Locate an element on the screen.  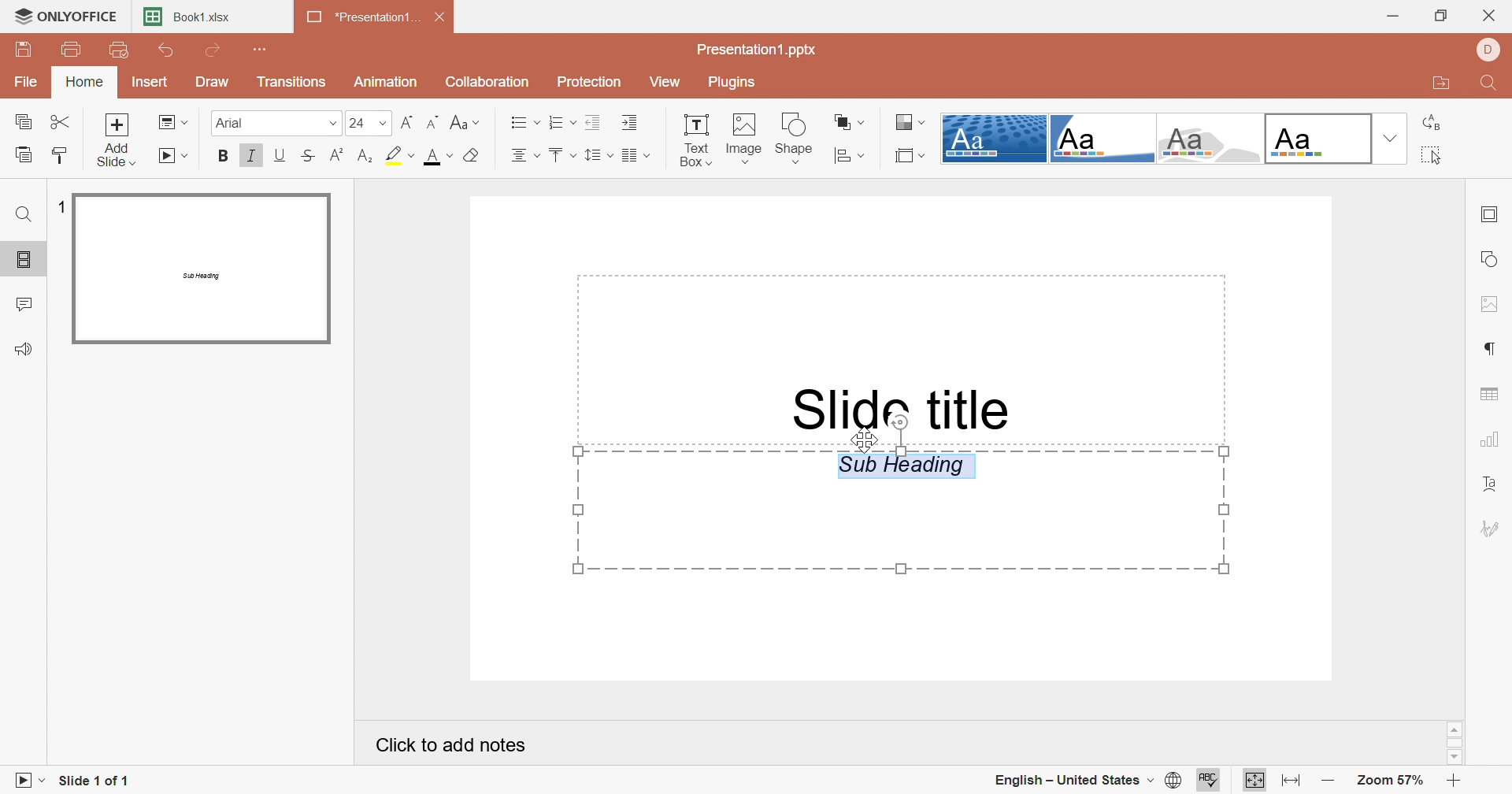
Animation is located at coordinates (387, 83).